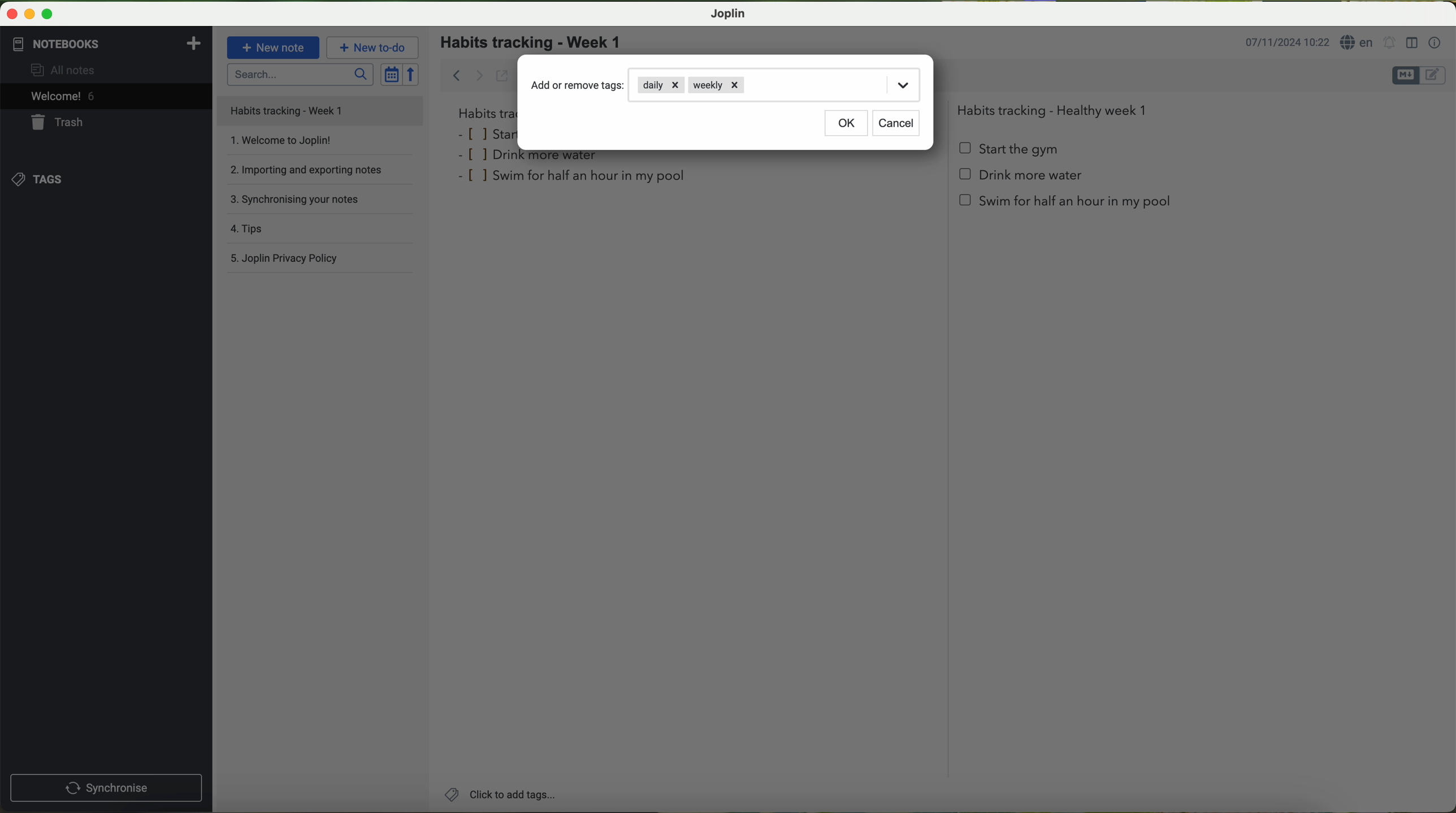 The width and height of the screenshot is (1456, 813). I want to click on note properties, so click(1436, 44).